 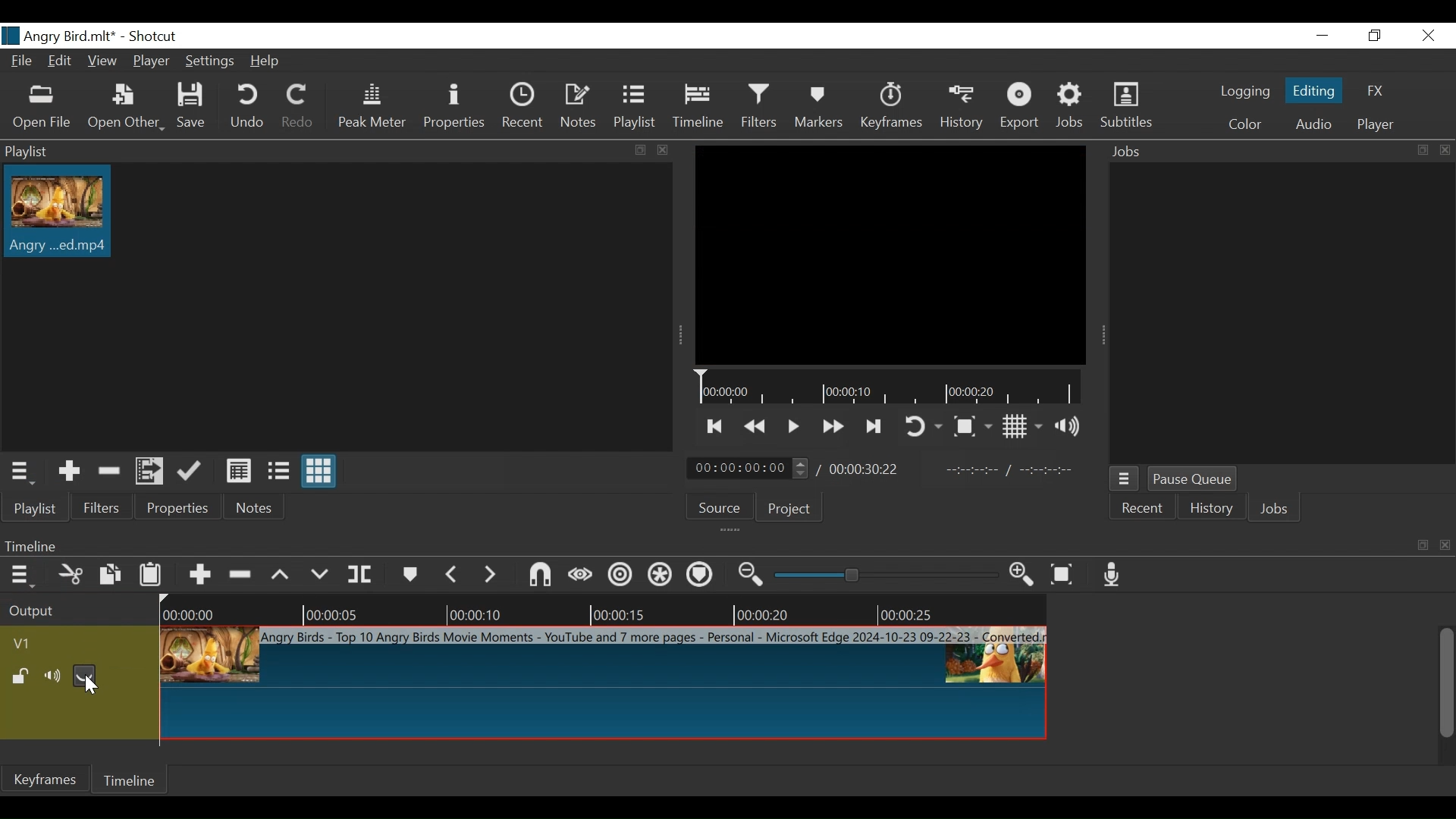 What do you see at coordinates (281, 576) in the screenshot?
I see `lift` at bounding box center [281, 576].